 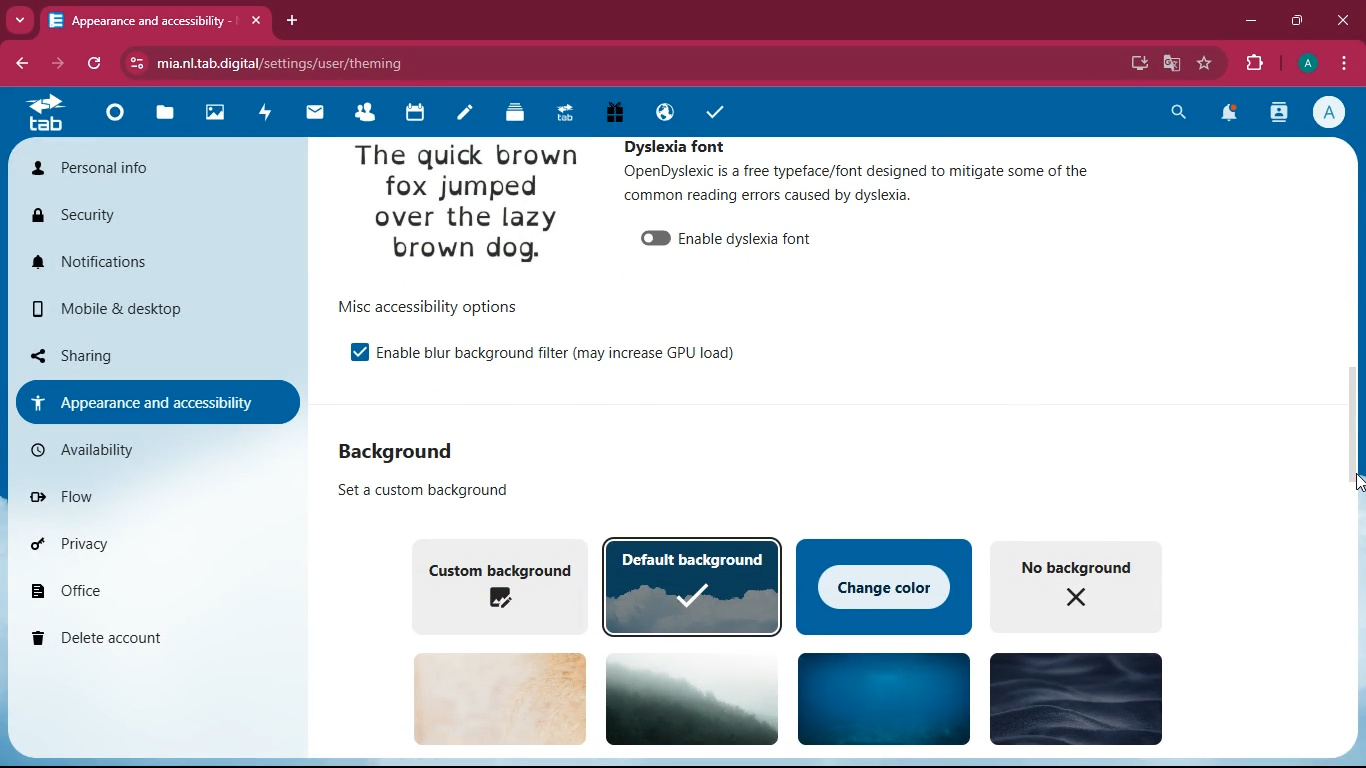 What do you see at coordinates (213, 113) in the screenshot?
I see `images` at bounding box center [213, 113].